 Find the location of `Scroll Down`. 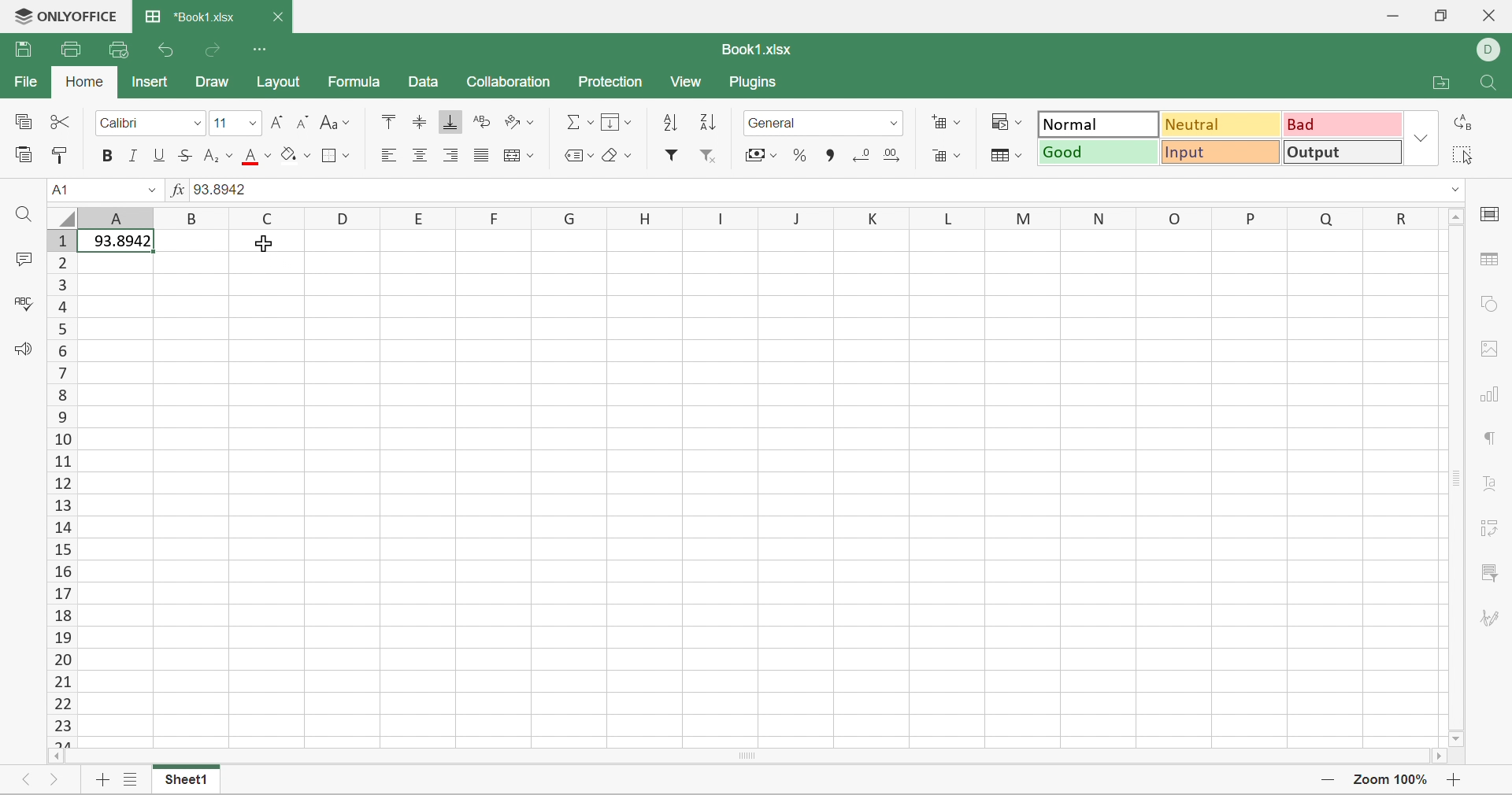

Scroll Down is located at coordinates (1456, 740).